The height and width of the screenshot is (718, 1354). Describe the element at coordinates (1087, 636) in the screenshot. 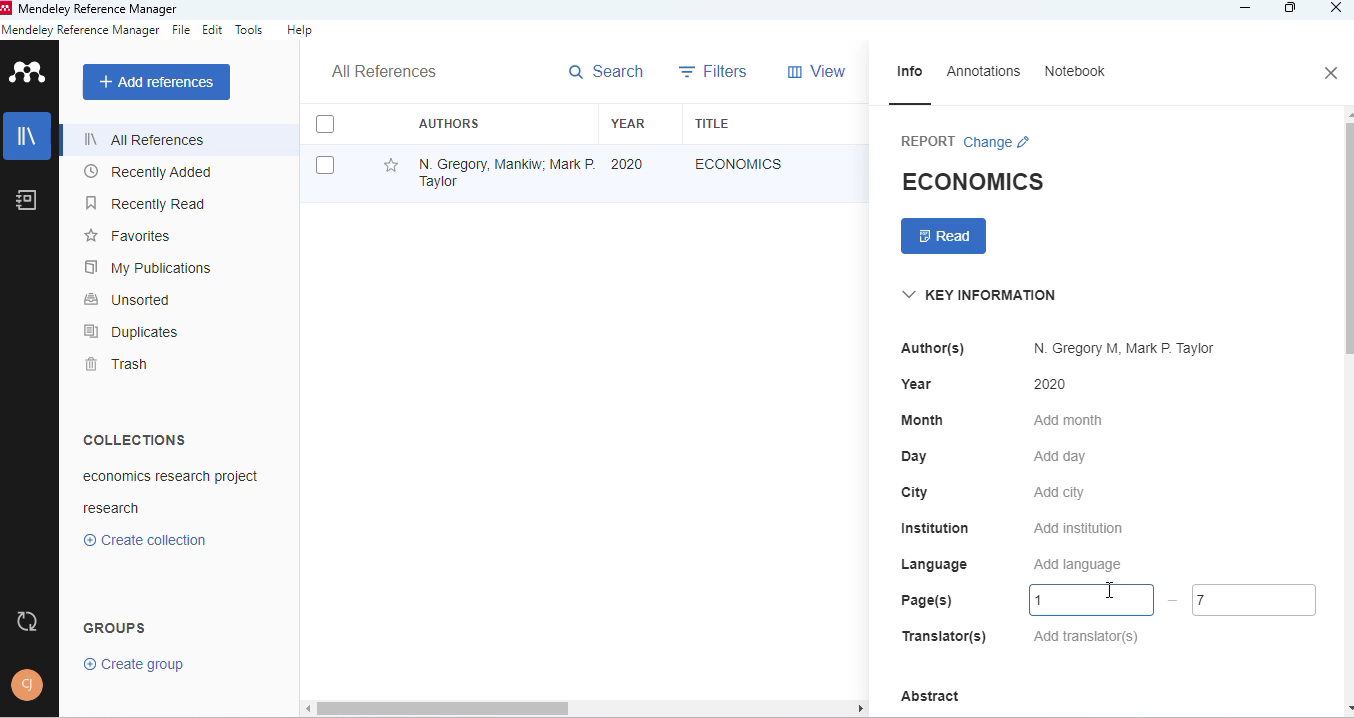

I see `add translator(s)` at that location.